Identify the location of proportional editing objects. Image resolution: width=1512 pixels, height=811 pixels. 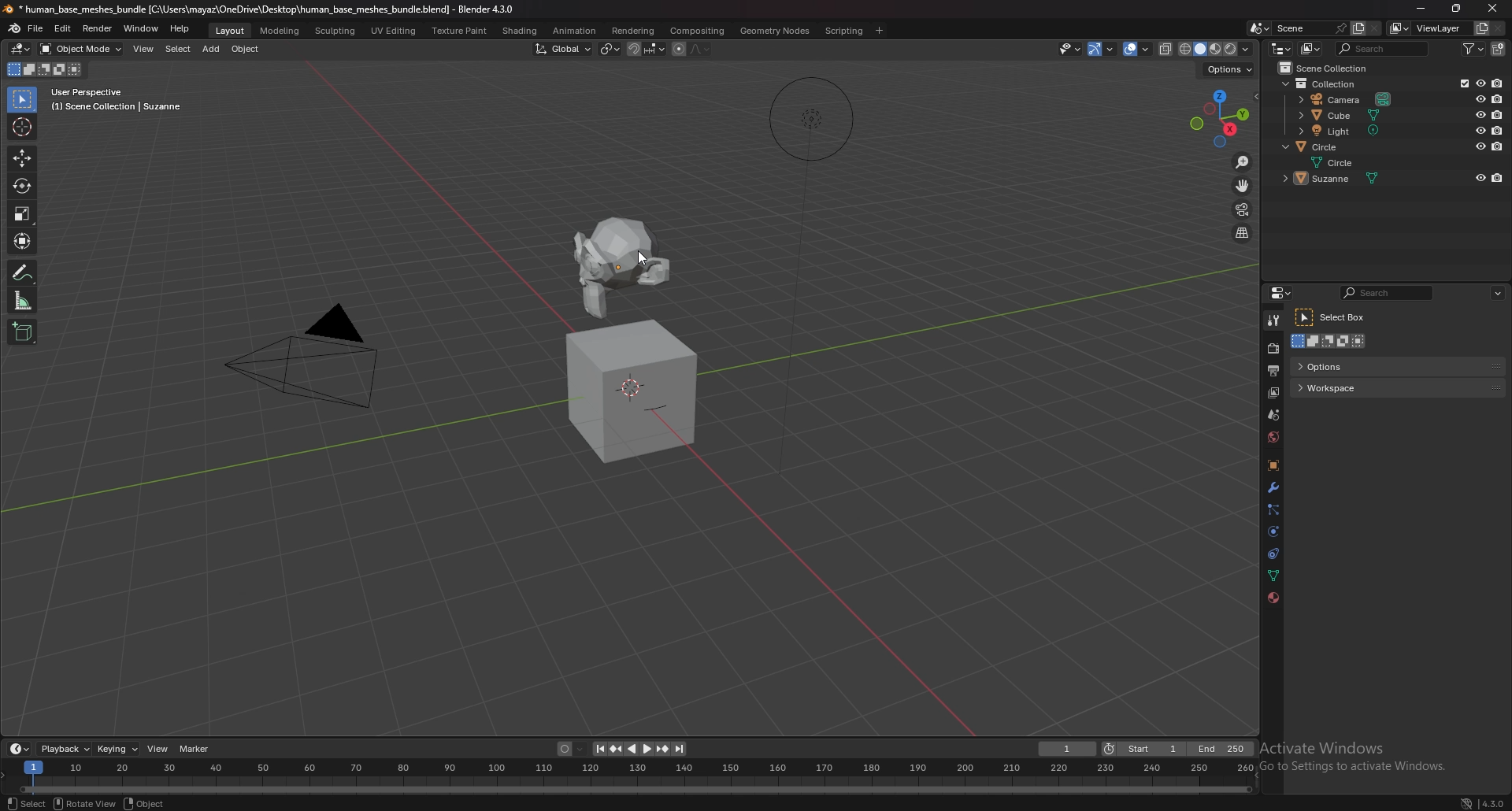
(678, 50).